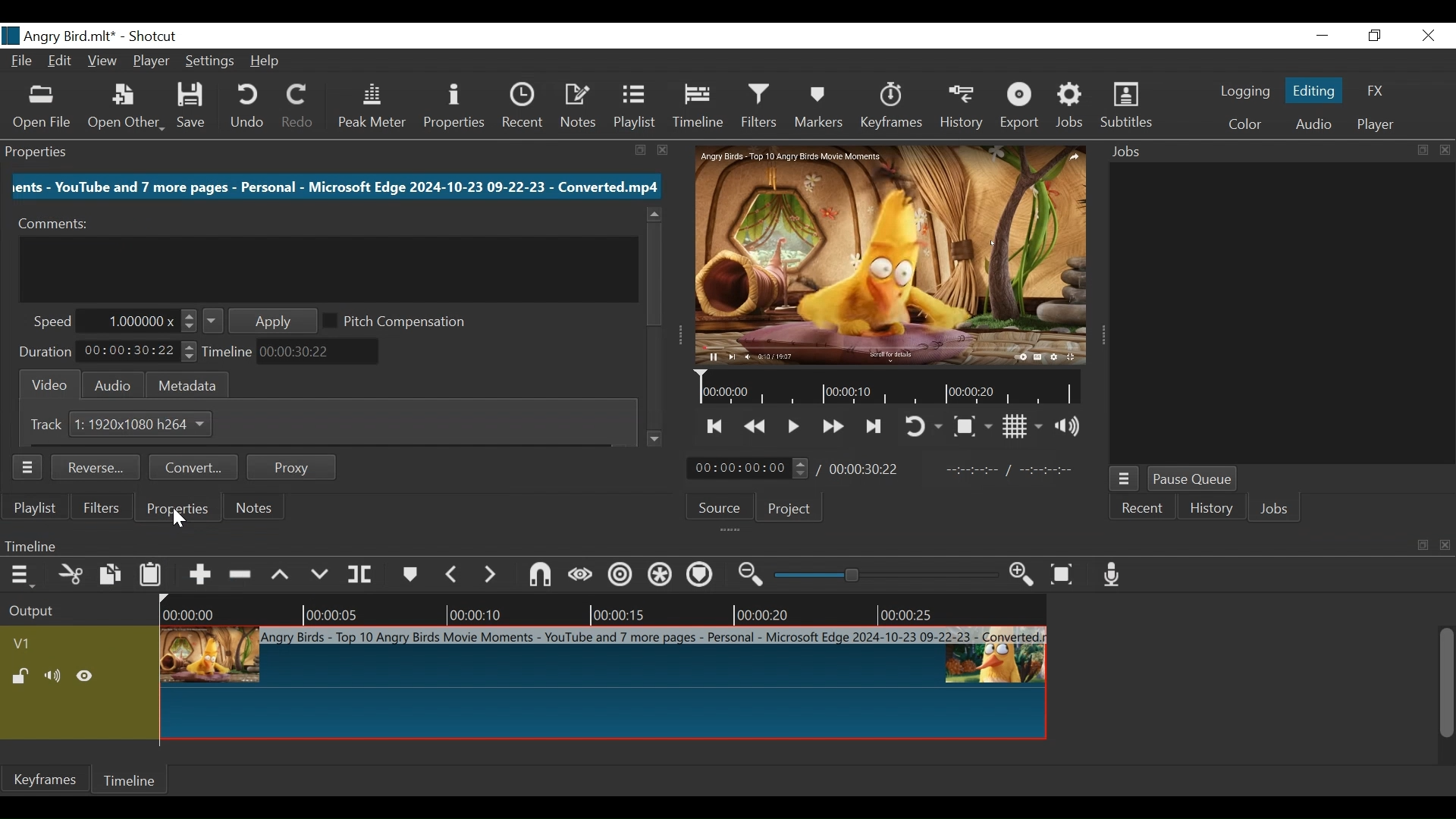 Image resolution: width=1456 pixels, height=819 pixels. What do you see at coordinates (762, 108) in the screenshot?
I see `Filters` at bounding box center [762, 108].